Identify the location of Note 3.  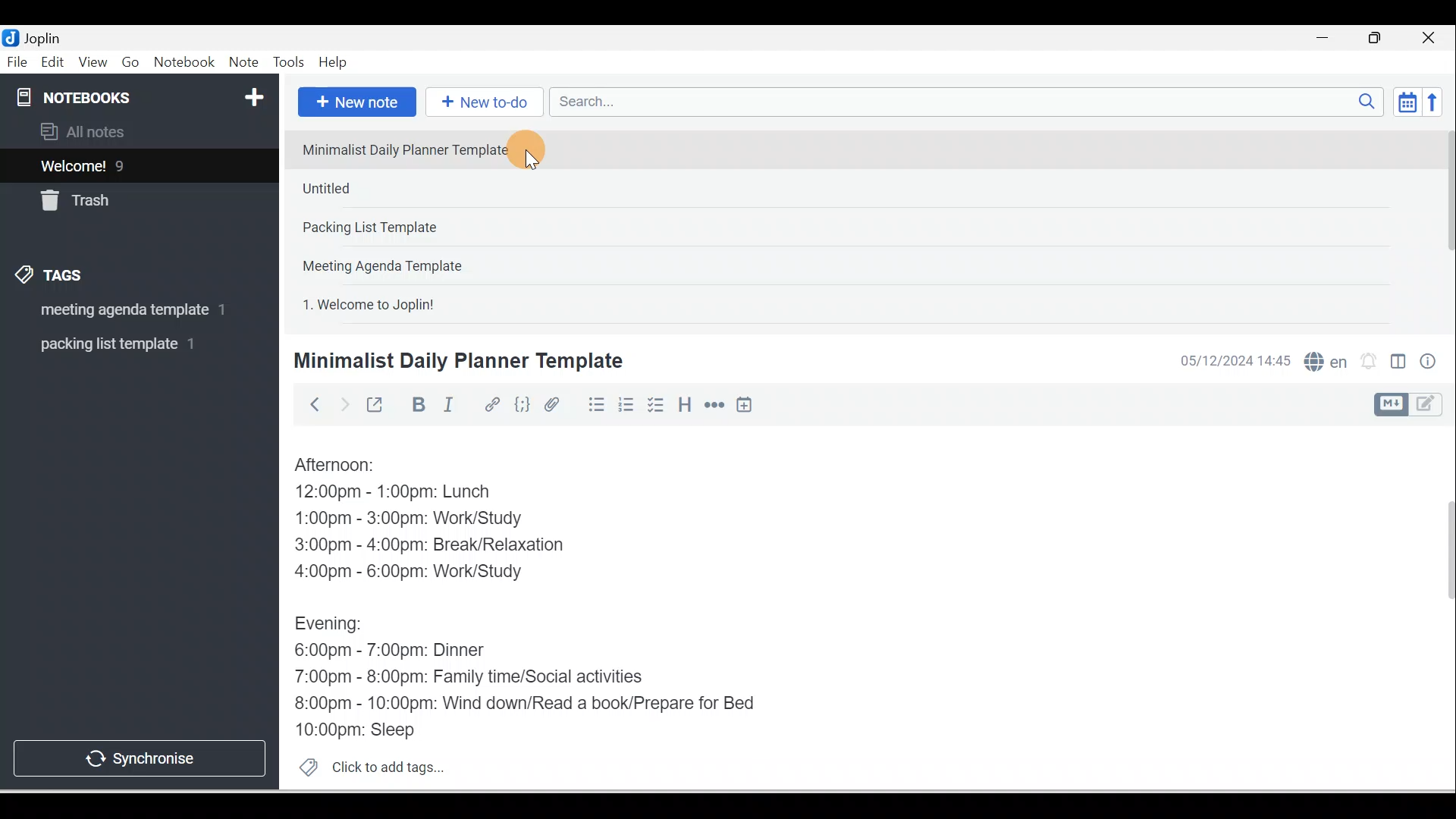
(418, 228).